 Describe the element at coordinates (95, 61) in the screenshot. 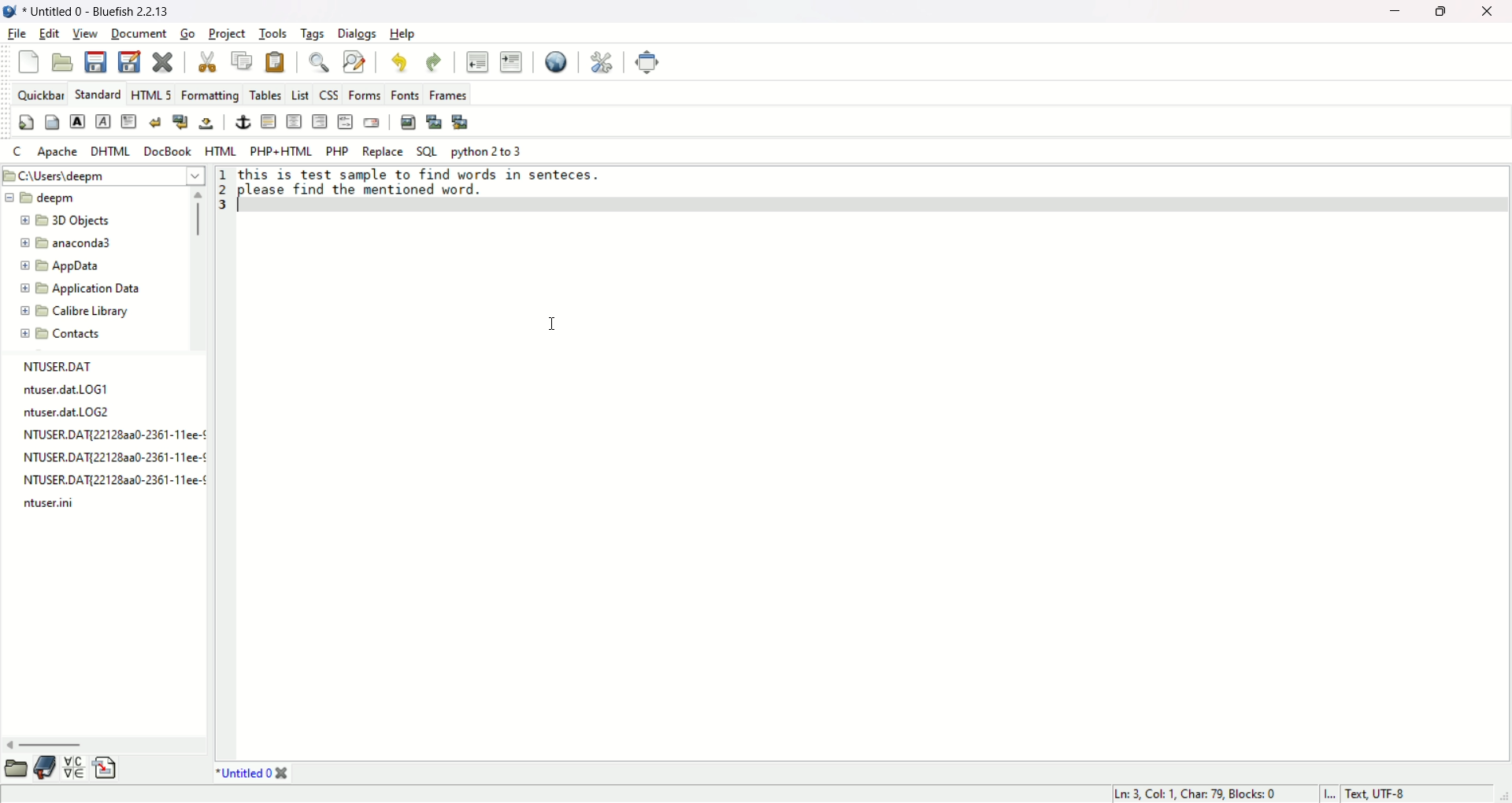

I see `save current file` at that location.